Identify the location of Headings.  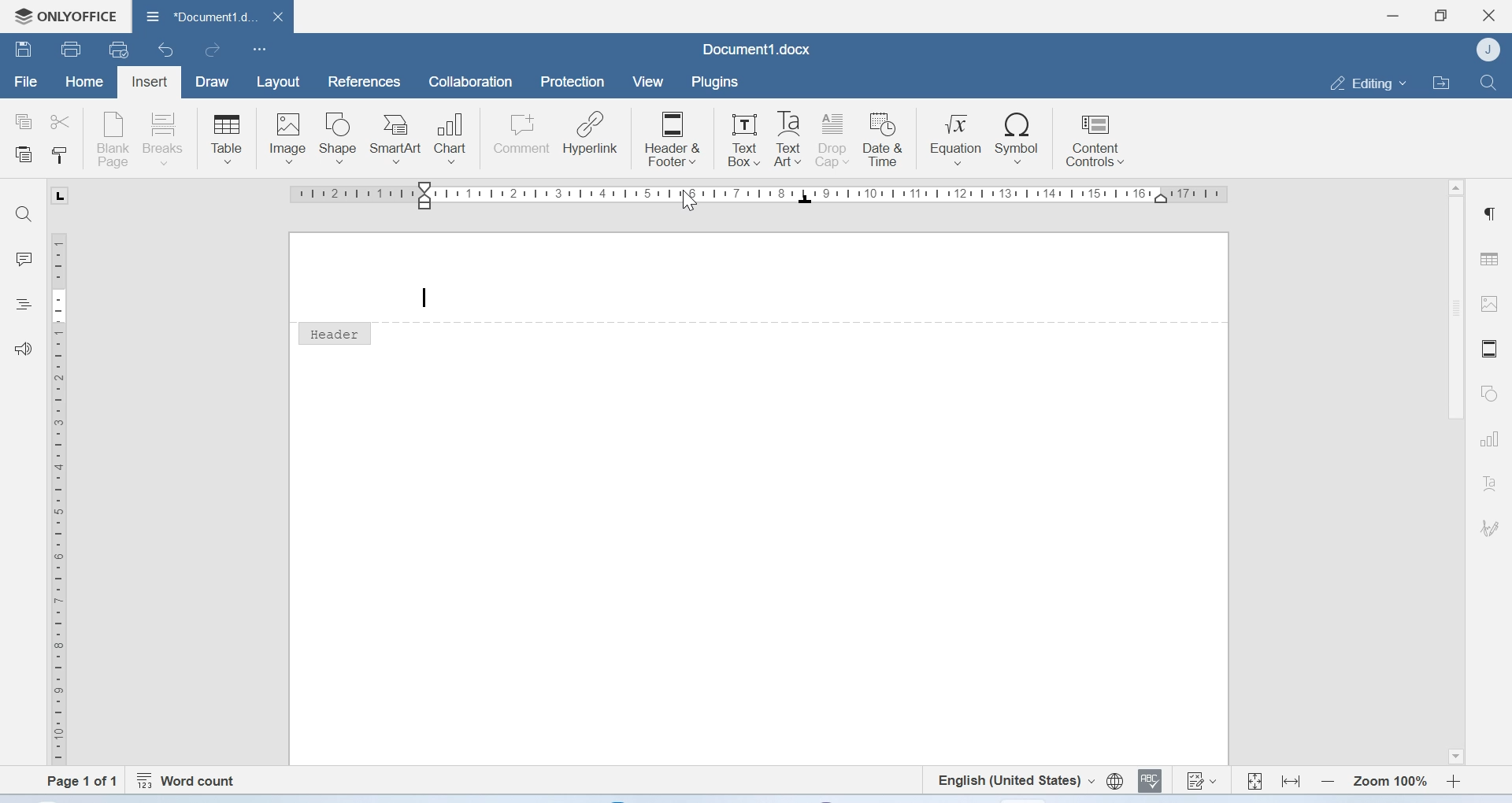
(26, 303).